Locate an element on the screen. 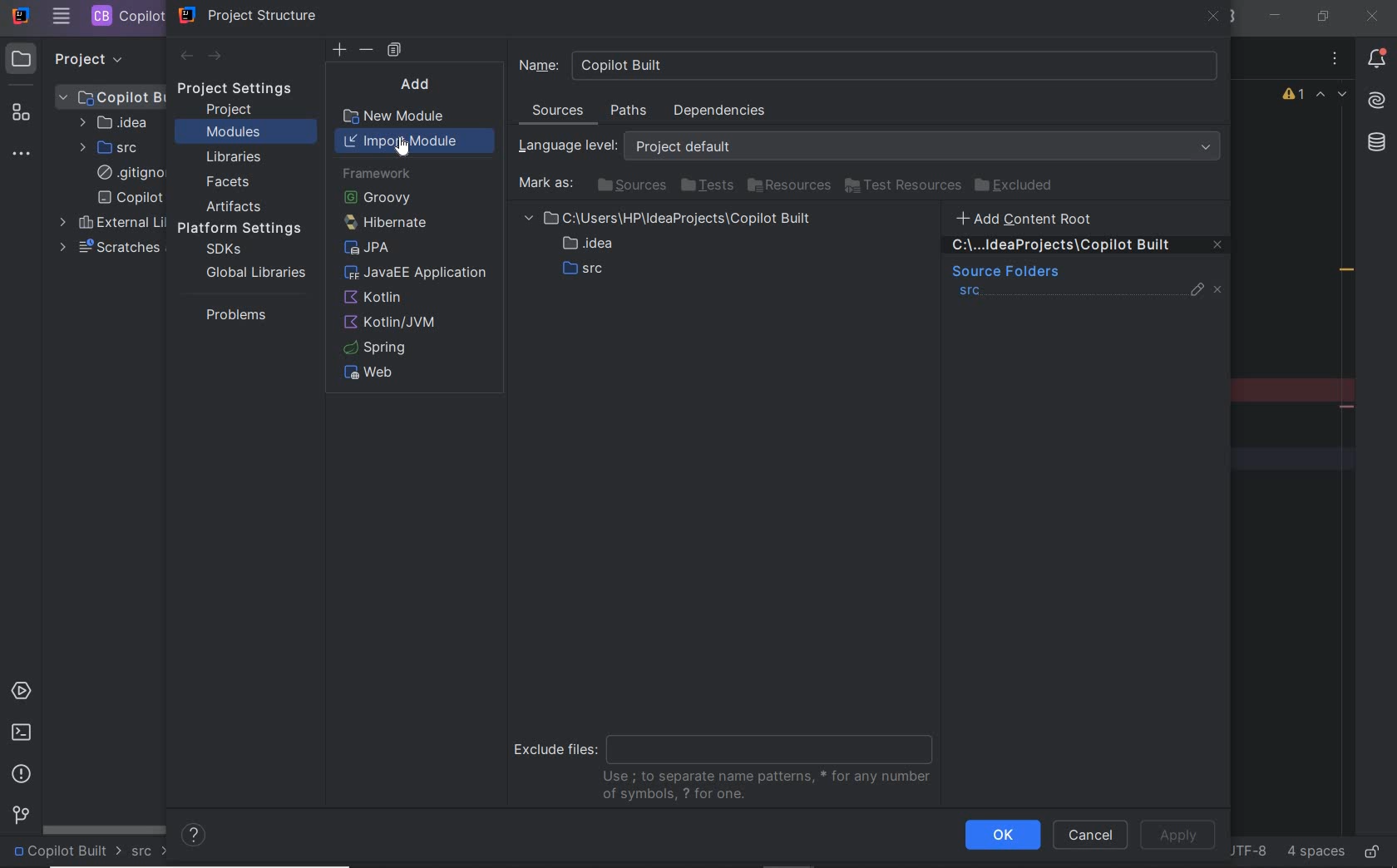 This screenshot has height=868, width=1397. cancel is located at coordinates (1090, 836).